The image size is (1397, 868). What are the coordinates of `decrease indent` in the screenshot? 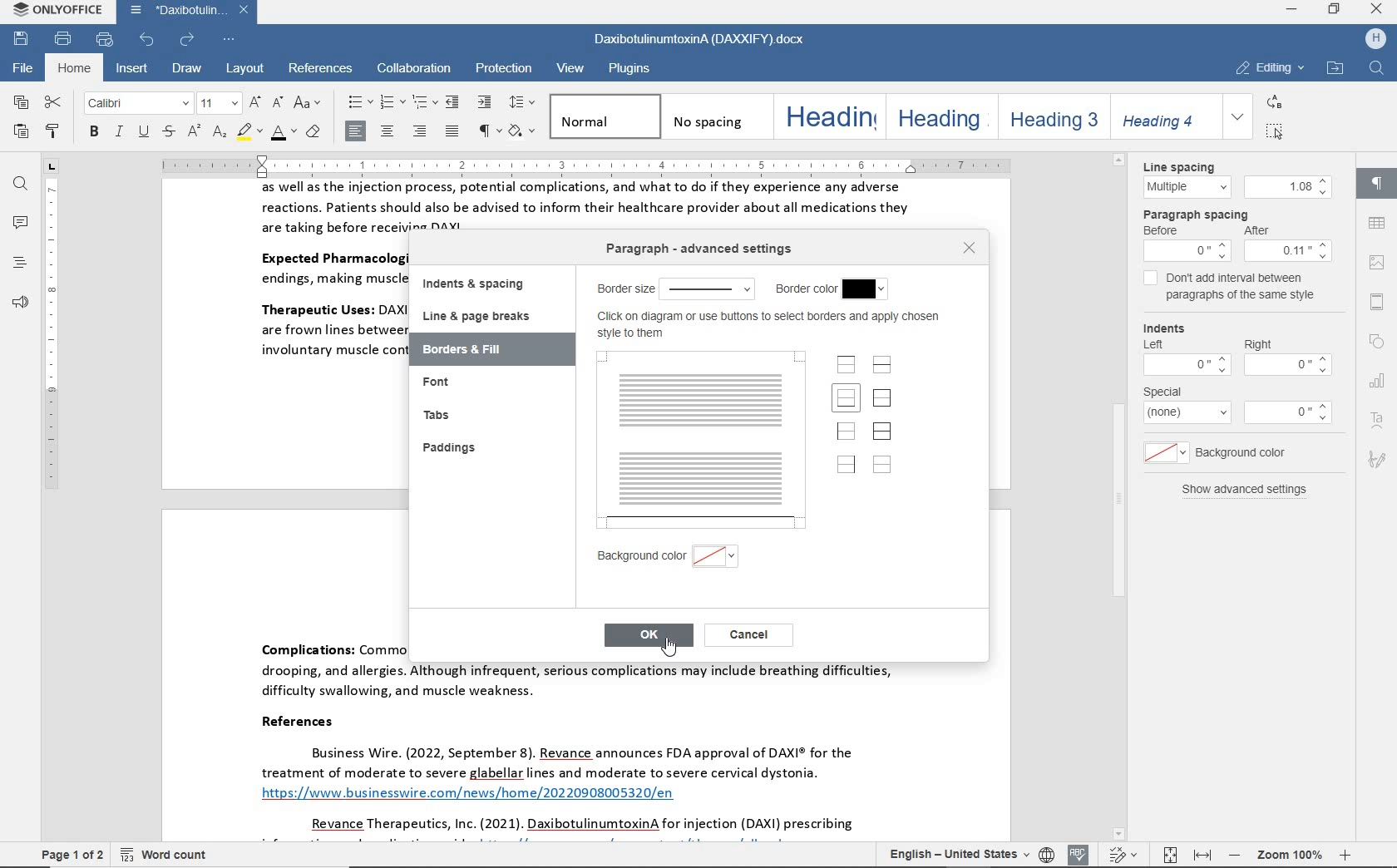 It's located at (455, 101).